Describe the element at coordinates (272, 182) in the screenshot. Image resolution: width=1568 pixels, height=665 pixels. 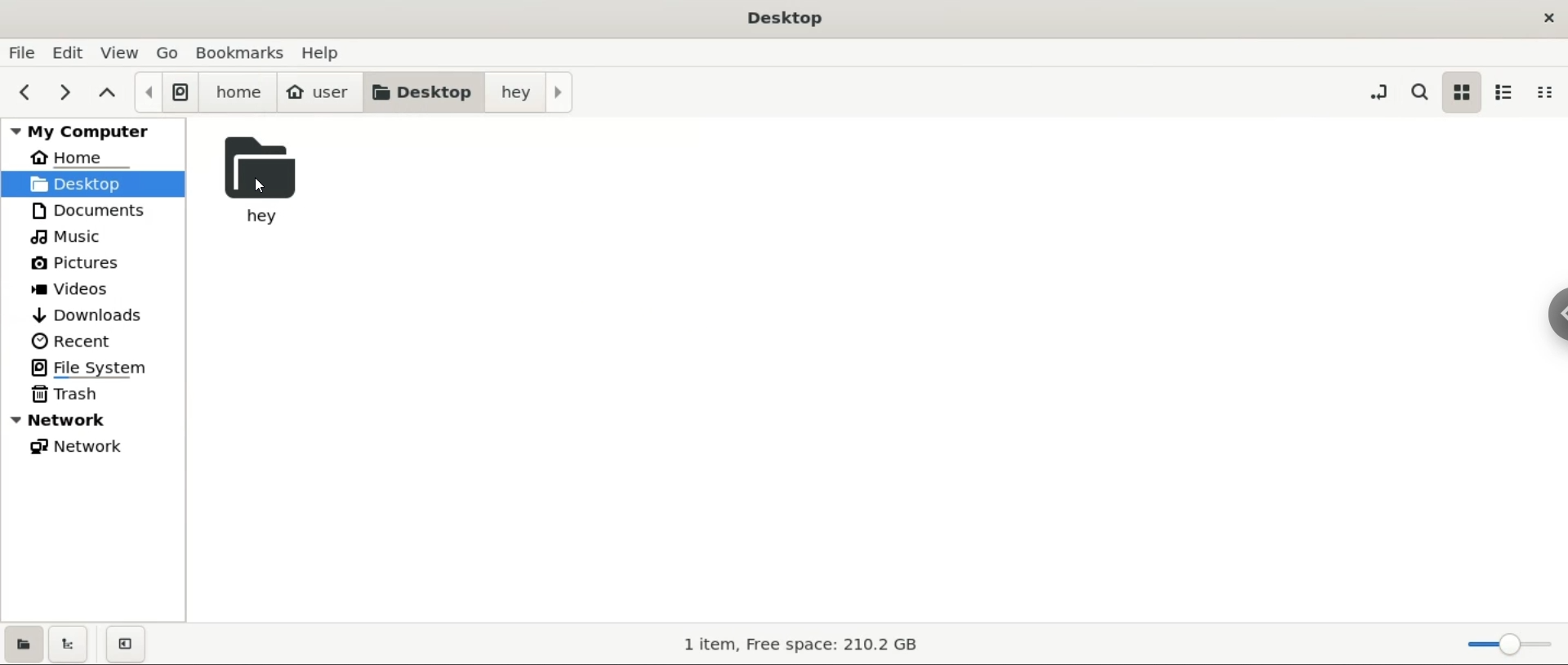
I see `hey folder` at that location.